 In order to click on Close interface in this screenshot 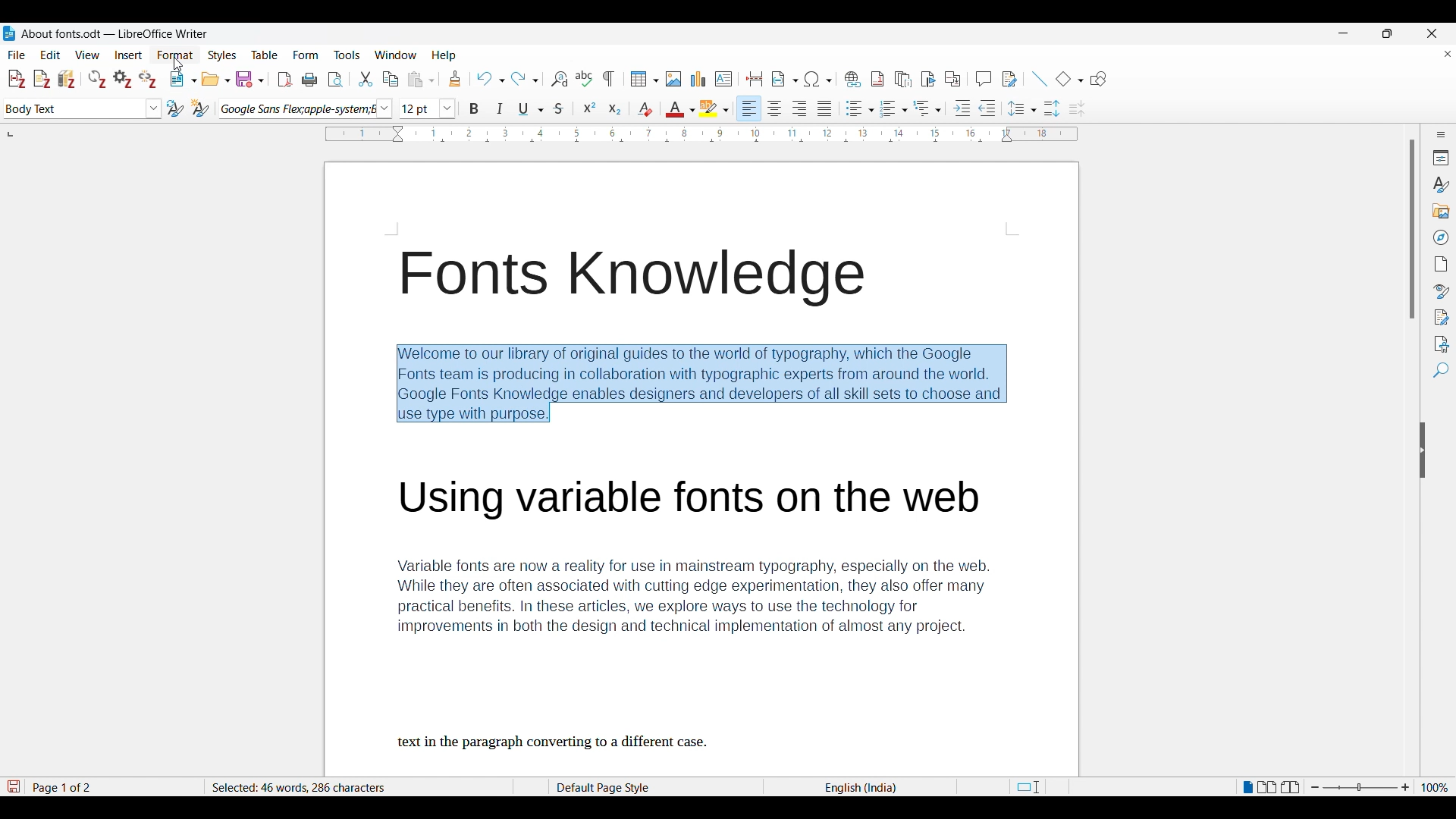, I will do `click(1432, 33)`.